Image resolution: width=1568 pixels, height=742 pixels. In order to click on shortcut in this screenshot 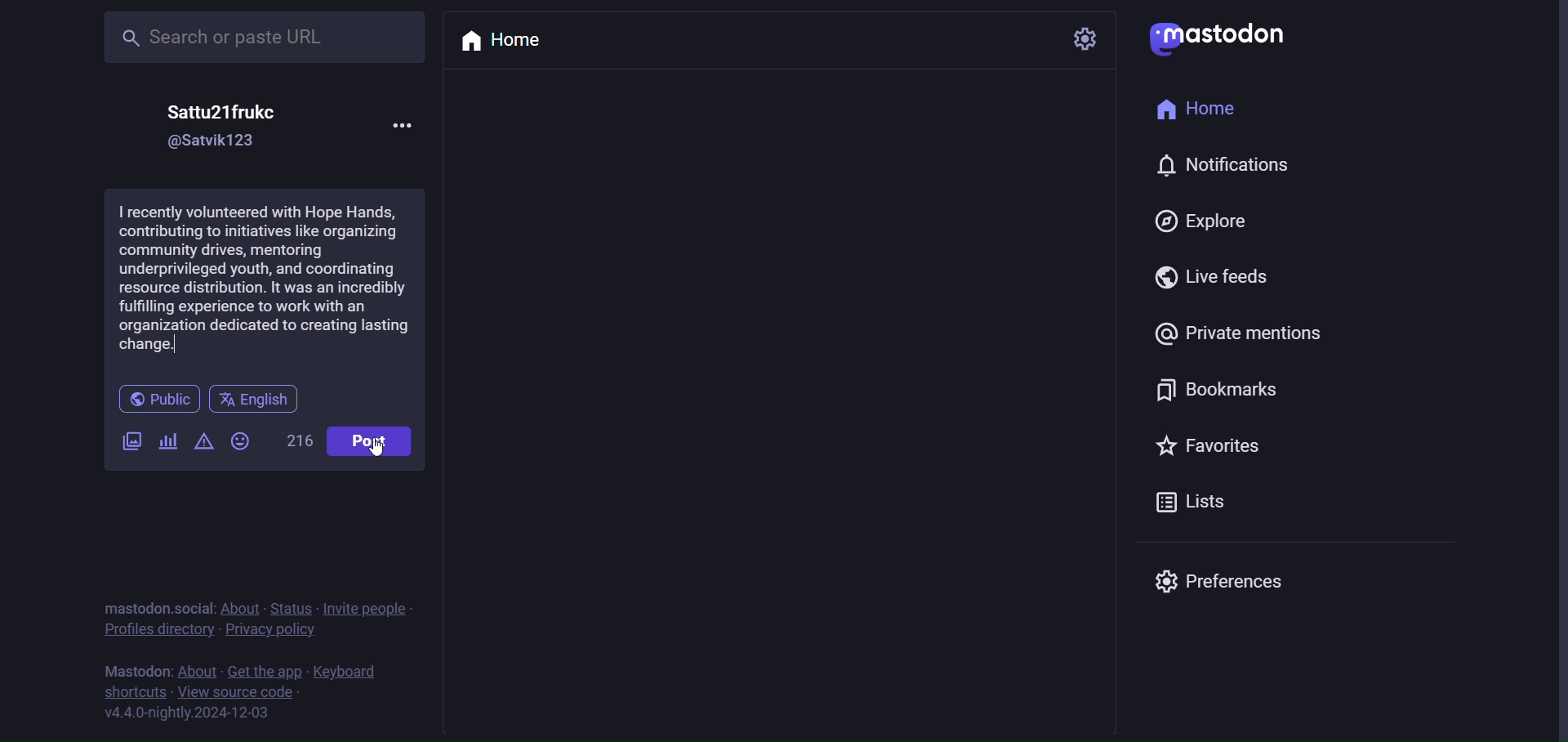, I will do `click(132, 691)`.